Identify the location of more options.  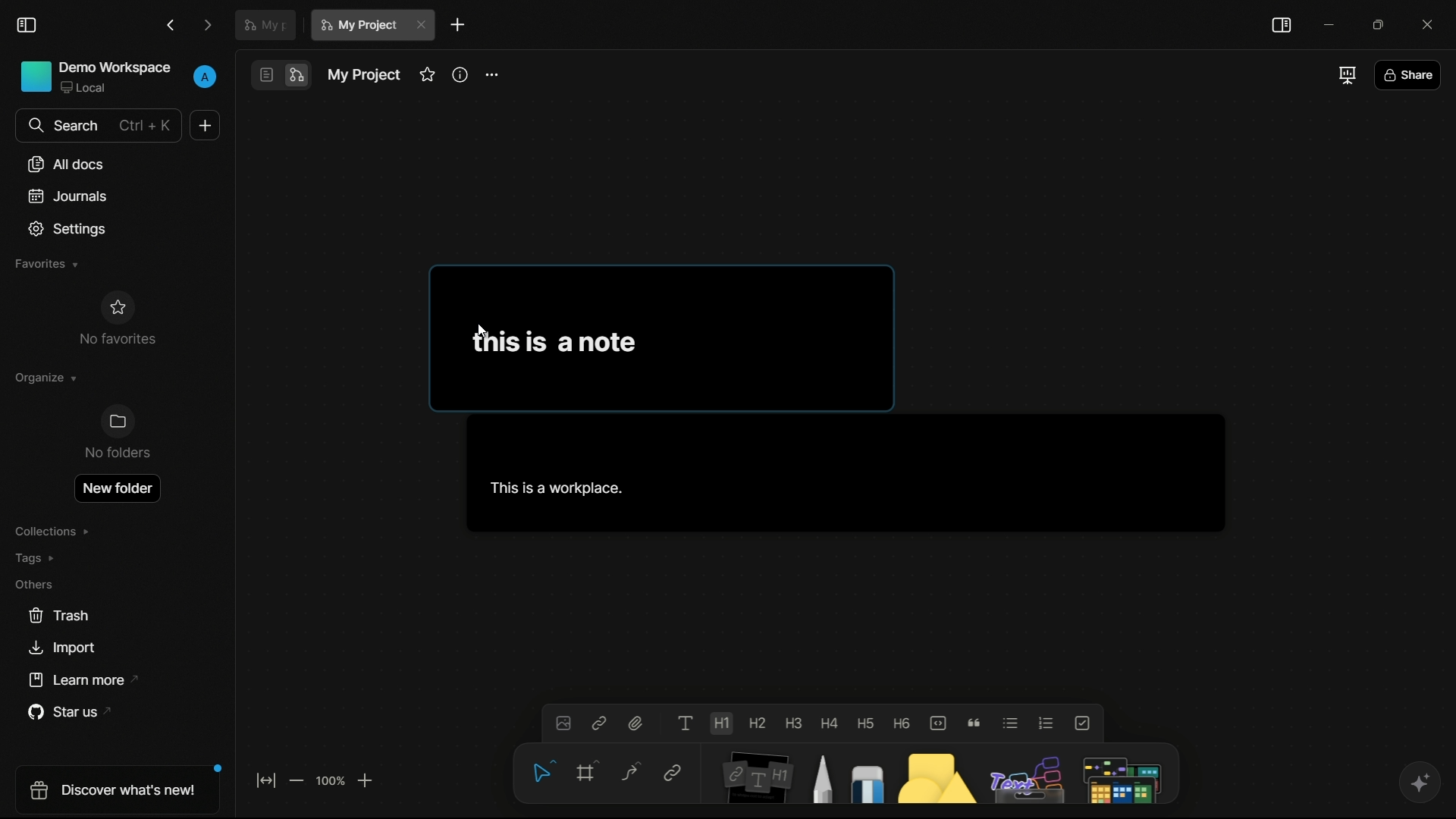
(493, 73).